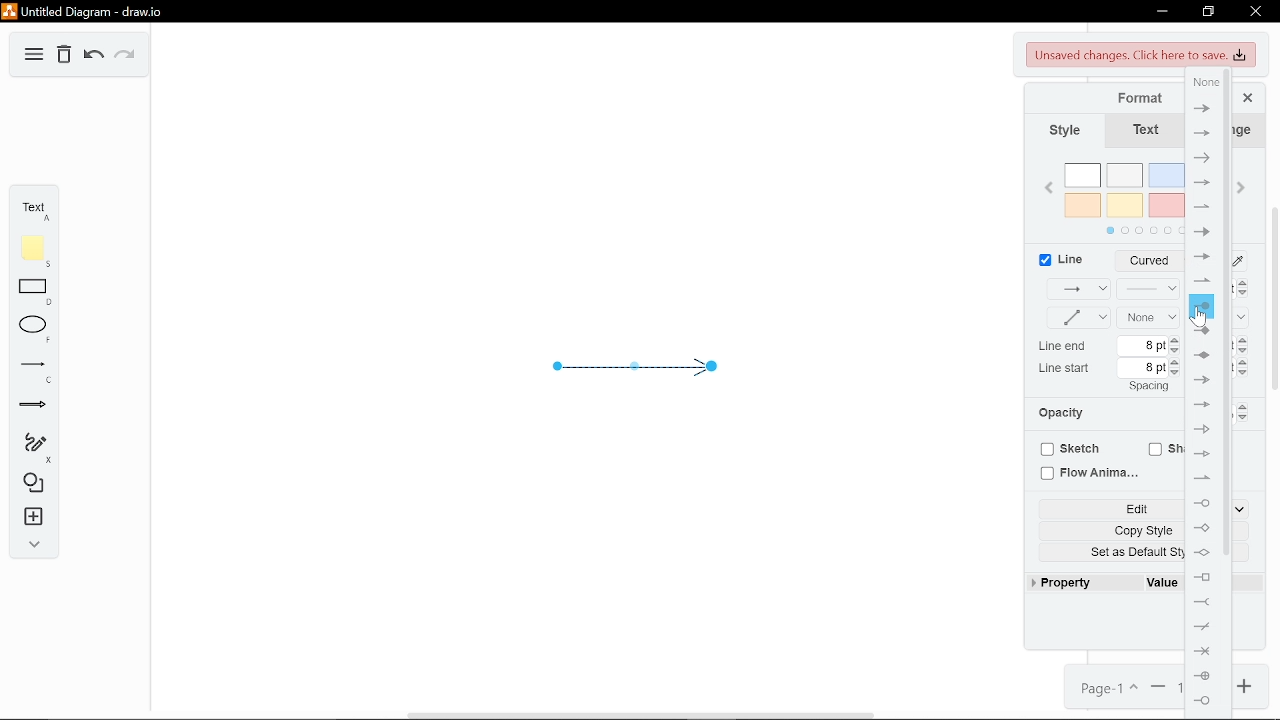 The height and width of the screenshot is (720, 1280). What do you see at coordinates (32, 249) in the screenshot?
I see `Note` at bounding box center [32, 249].